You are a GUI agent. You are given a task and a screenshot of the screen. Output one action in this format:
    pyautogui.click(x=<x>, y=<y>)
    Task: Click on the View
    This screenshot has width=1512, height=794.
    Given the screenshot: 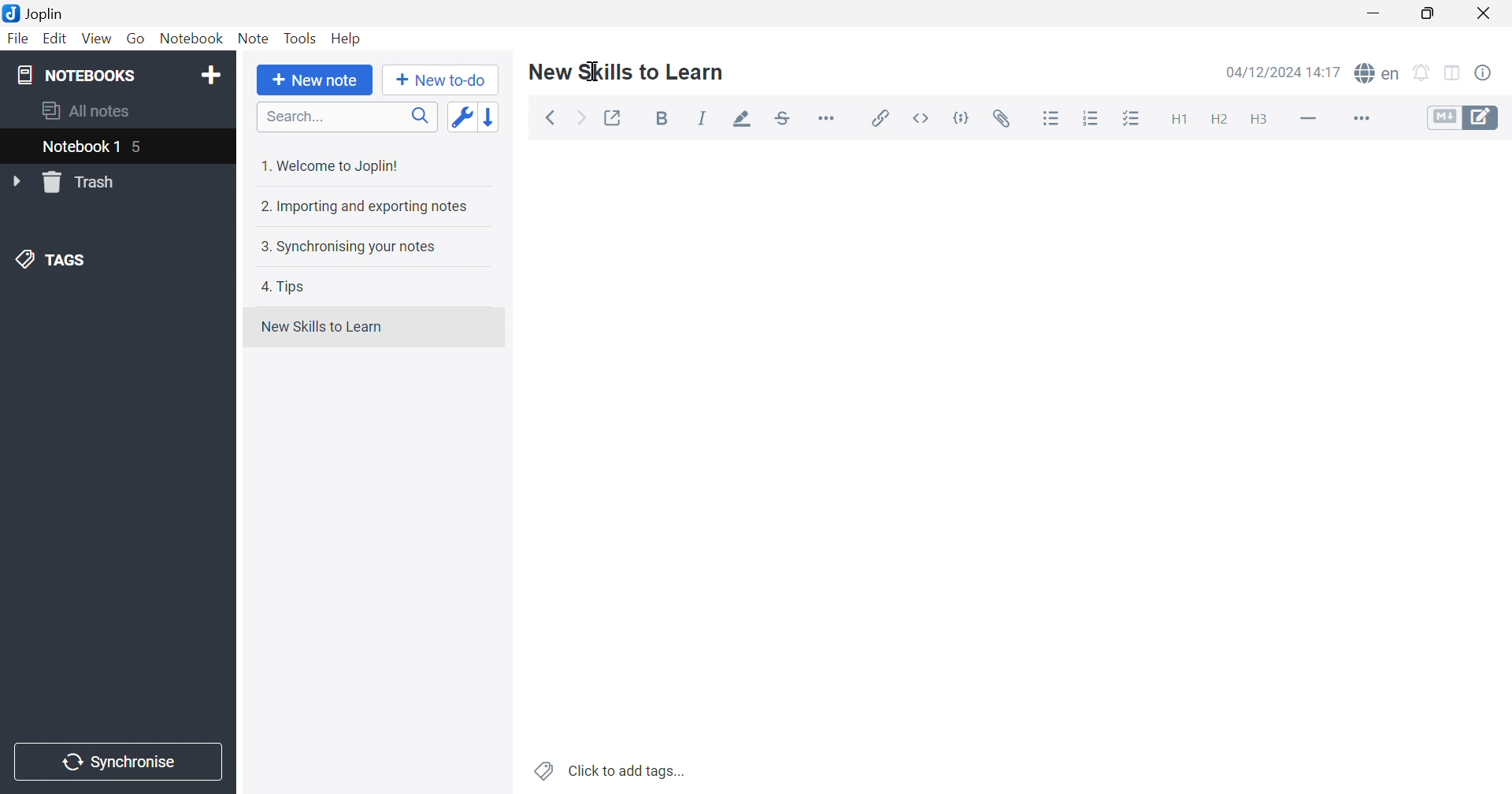 What is the action you would take?
    pyautogui.click(x=94, y=39)
    